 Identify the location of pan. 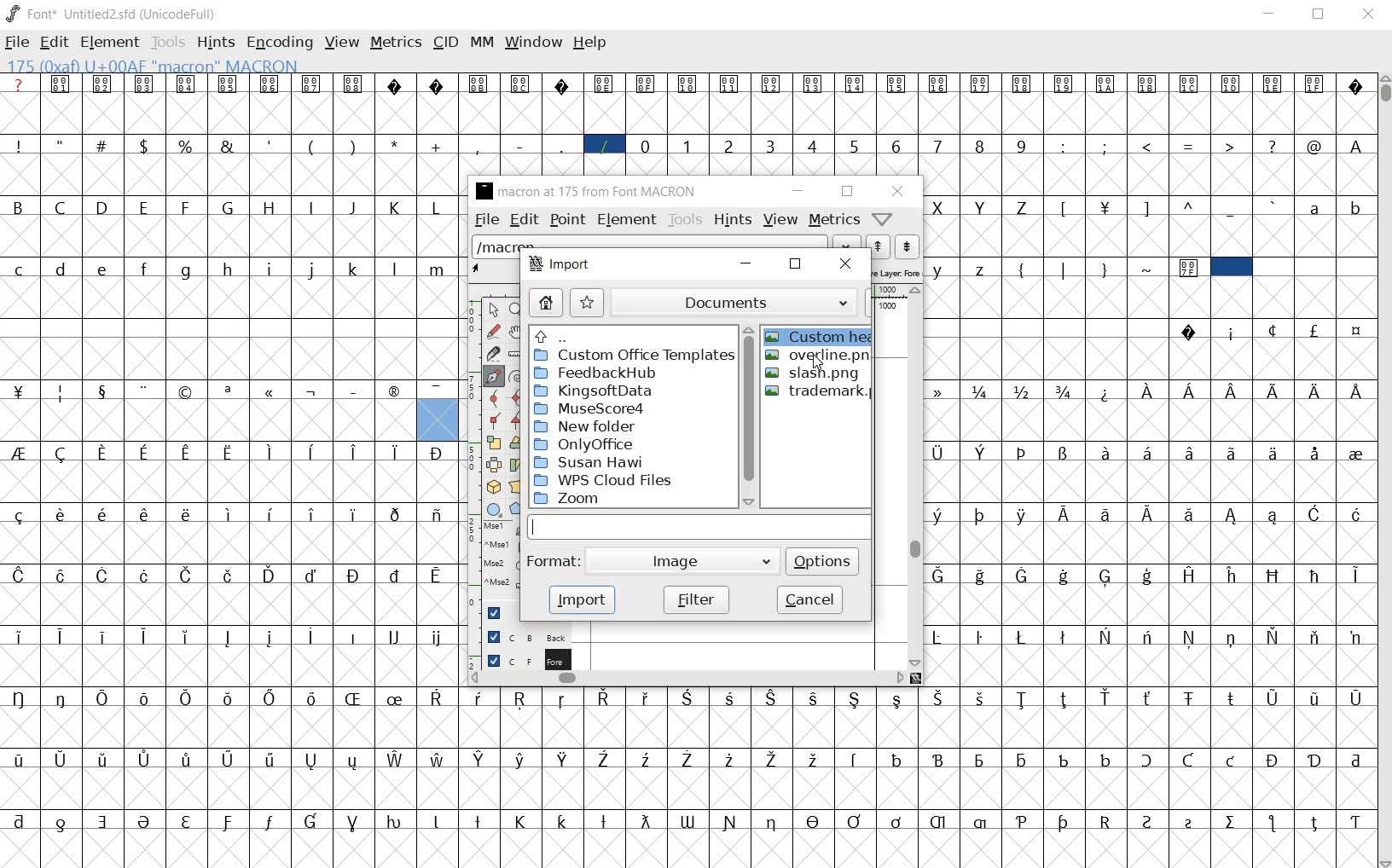
(514, 331).